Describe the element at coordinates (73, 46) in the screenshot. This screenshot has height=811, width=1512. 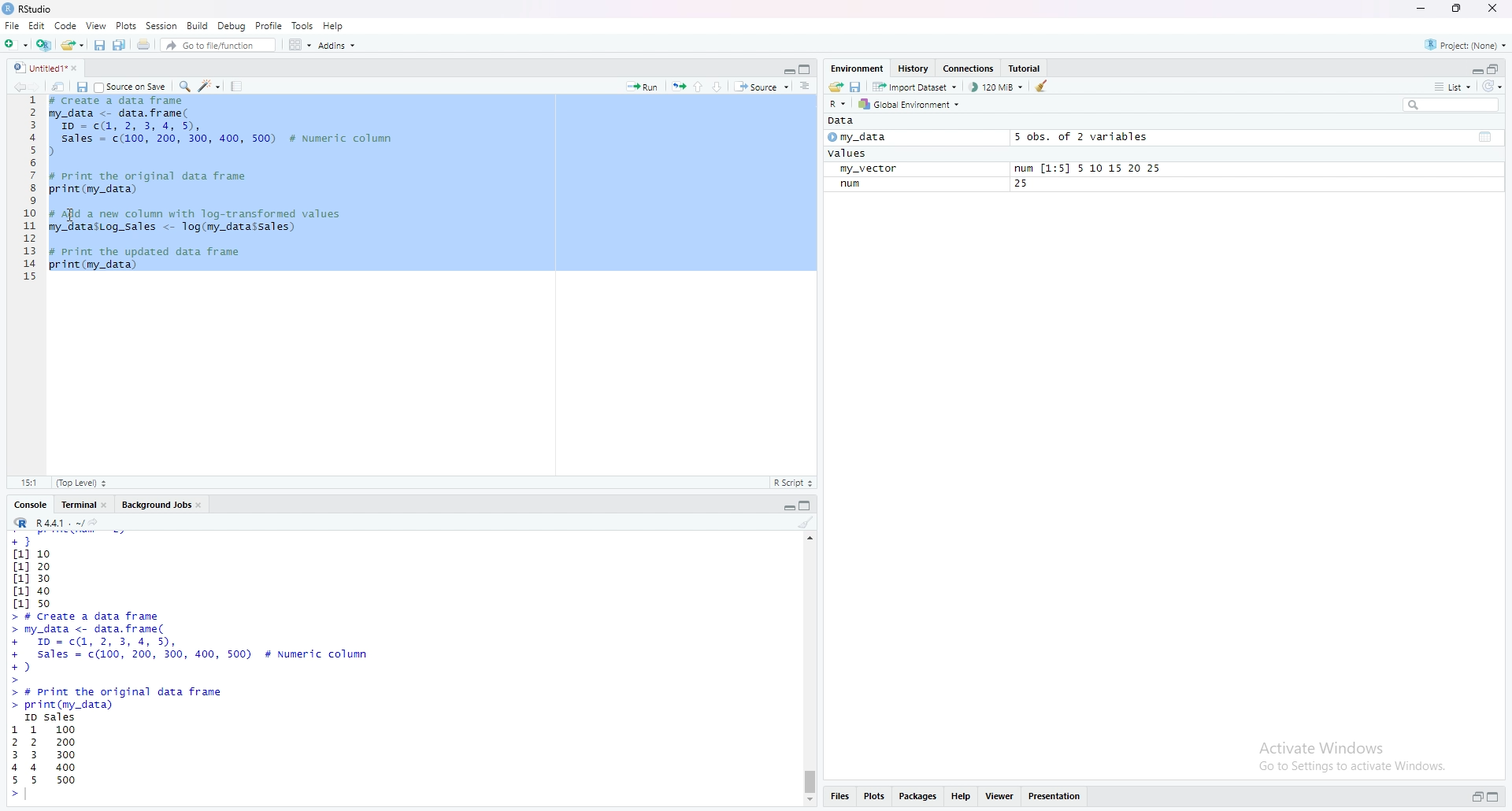
I see `Open an existing file` at that location.